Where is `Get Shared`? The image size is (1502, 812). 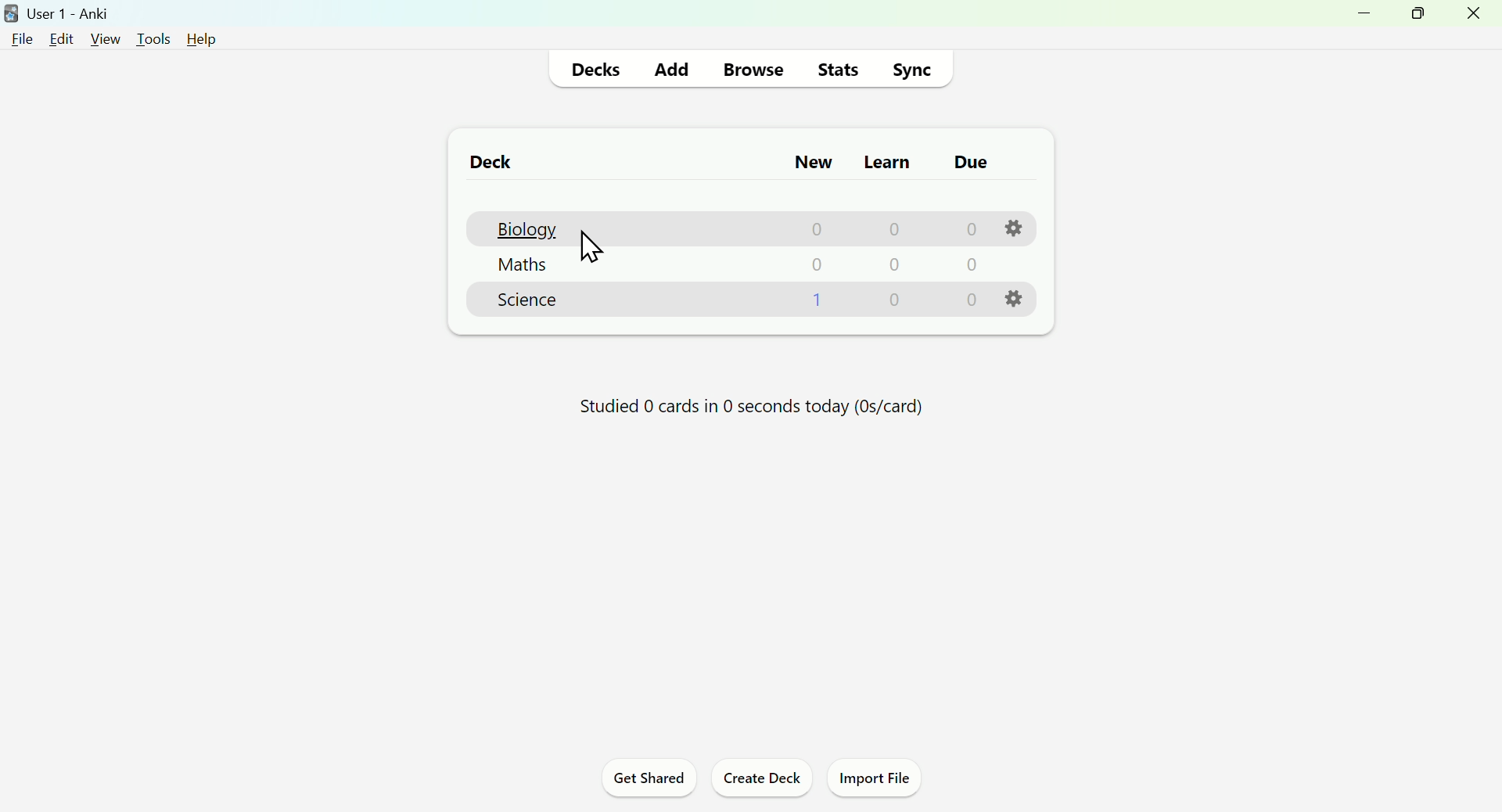
Get Shared is located at coordinates (650, 780).